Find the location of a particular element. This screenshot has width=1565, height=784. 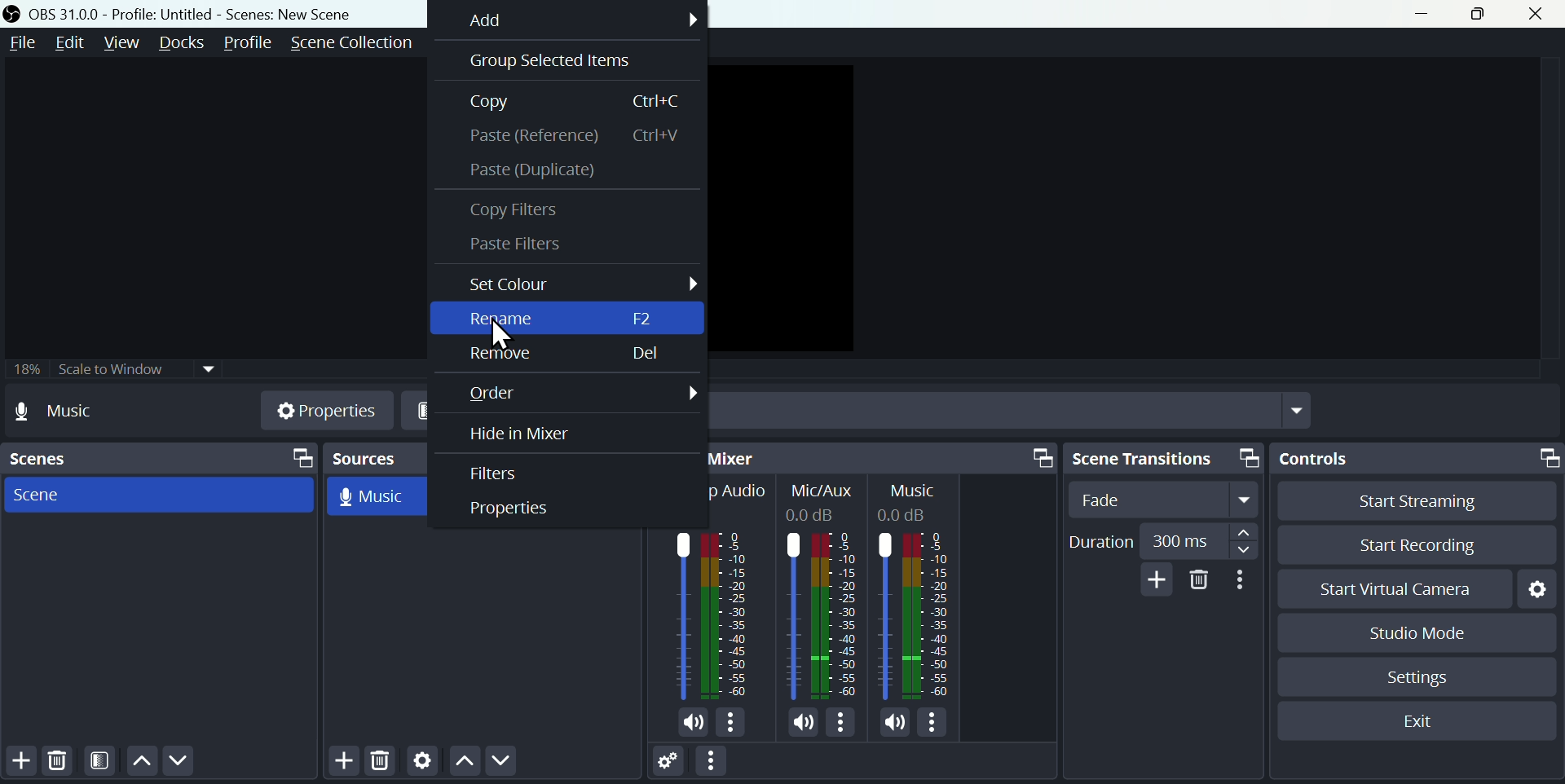

Start recording is located at coordinates (1417, 540).